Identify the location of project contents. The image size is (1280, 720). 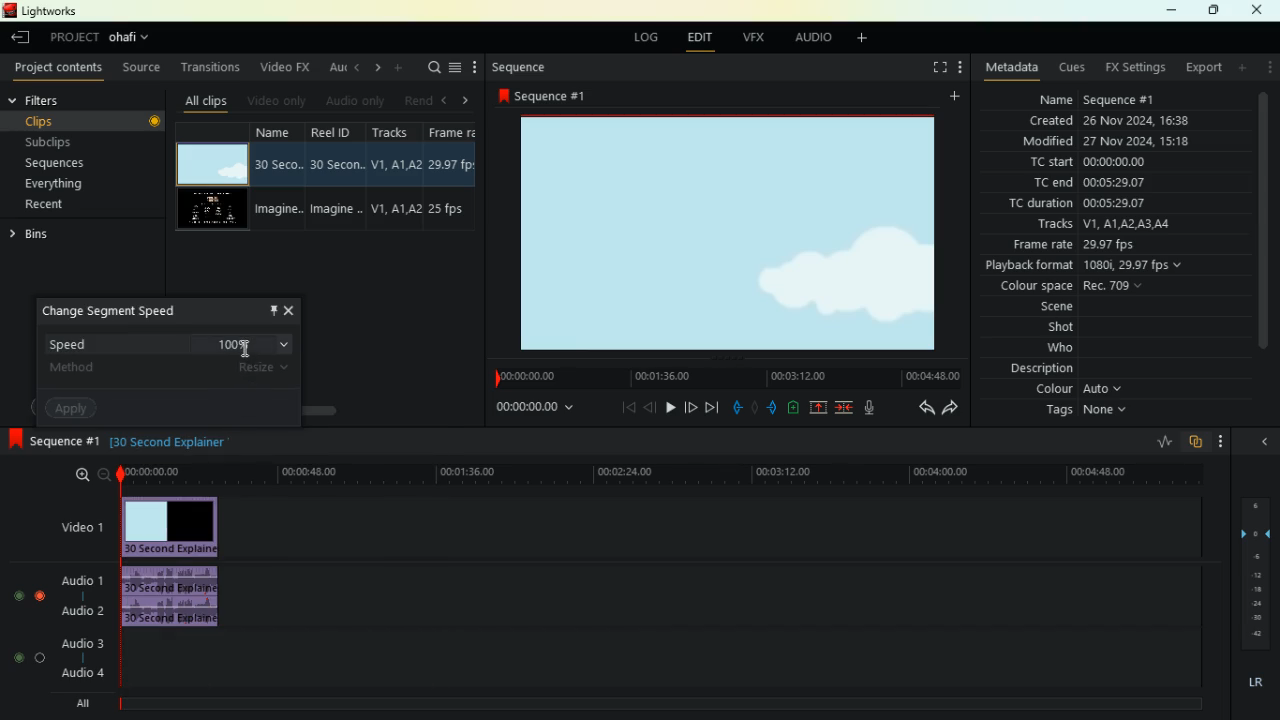
(63, 68).